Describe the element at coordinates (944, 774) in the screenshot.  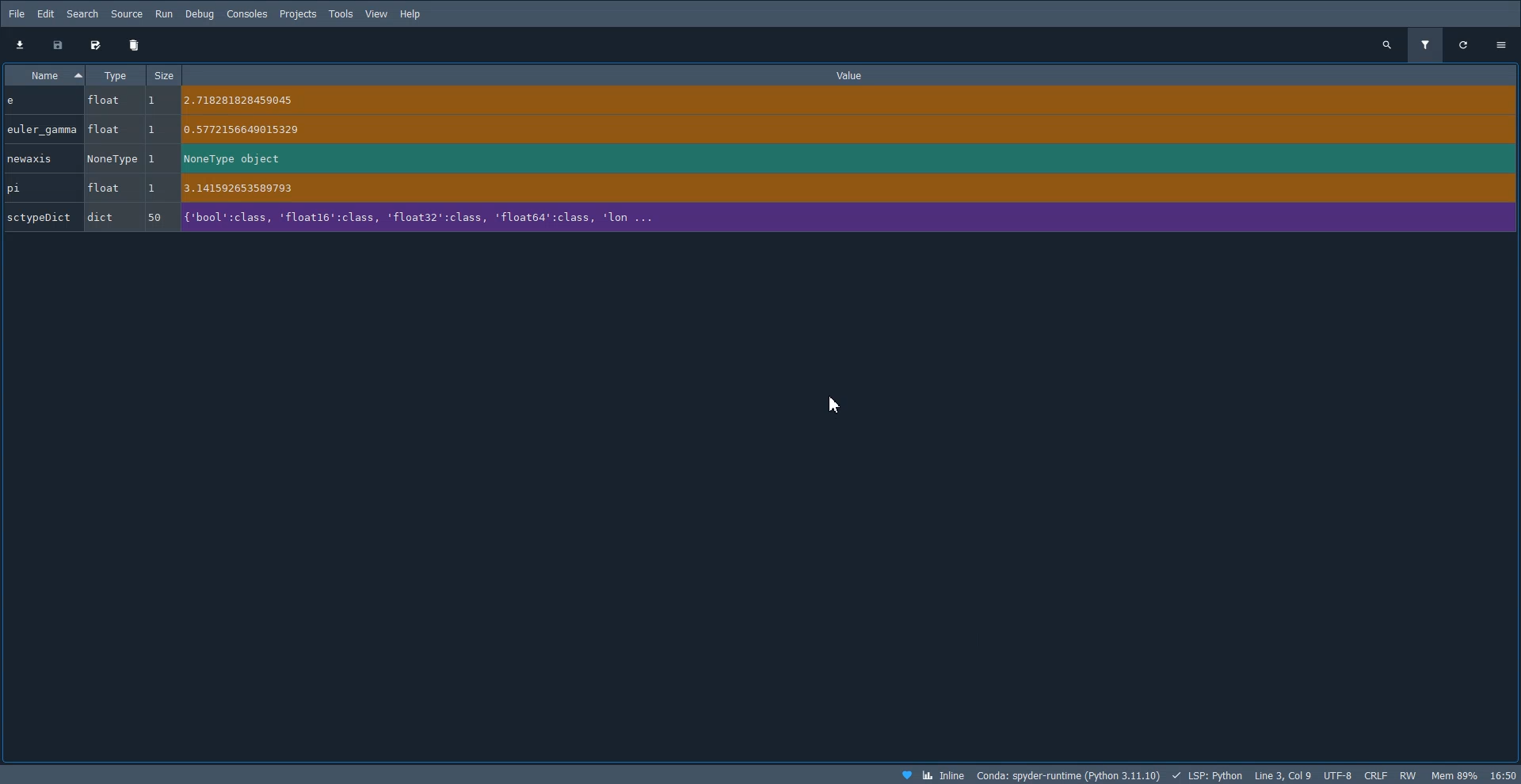
I see `Inline` at that location.